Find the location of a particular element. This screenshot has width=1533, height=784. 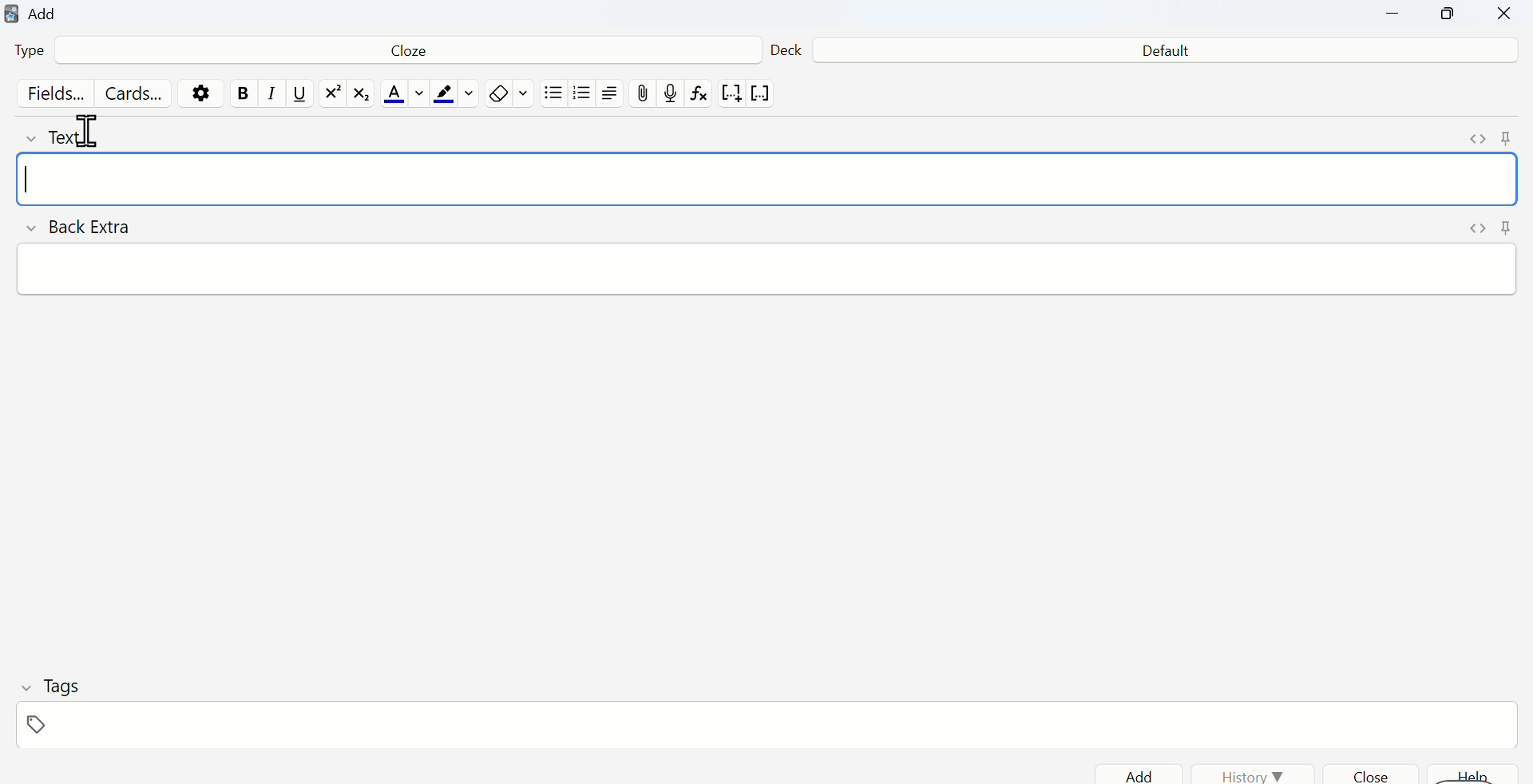

Tag is located at coordinates (42, 727).